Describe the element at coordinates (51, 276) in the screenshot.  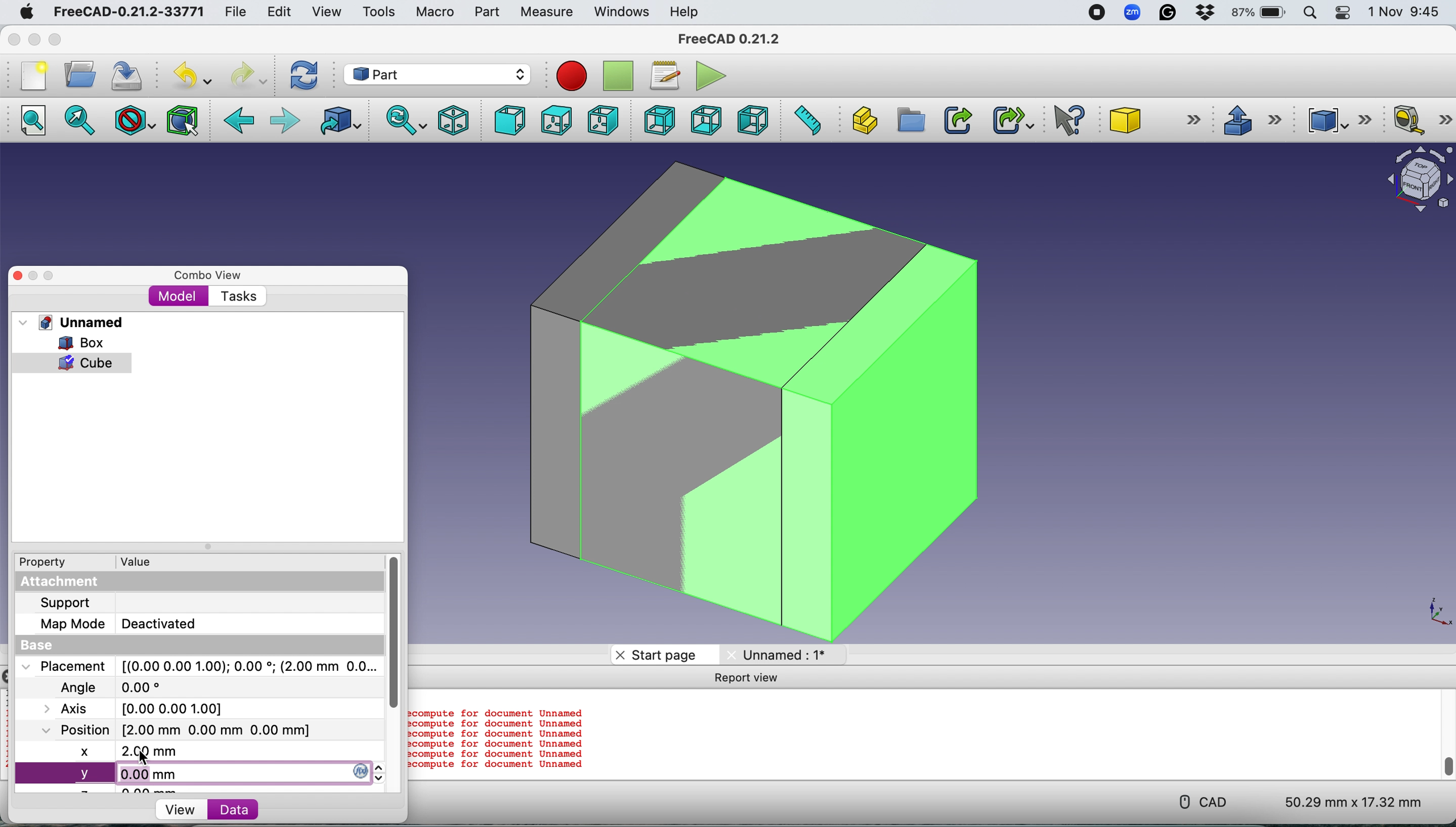
I see `Maximise` at that location.